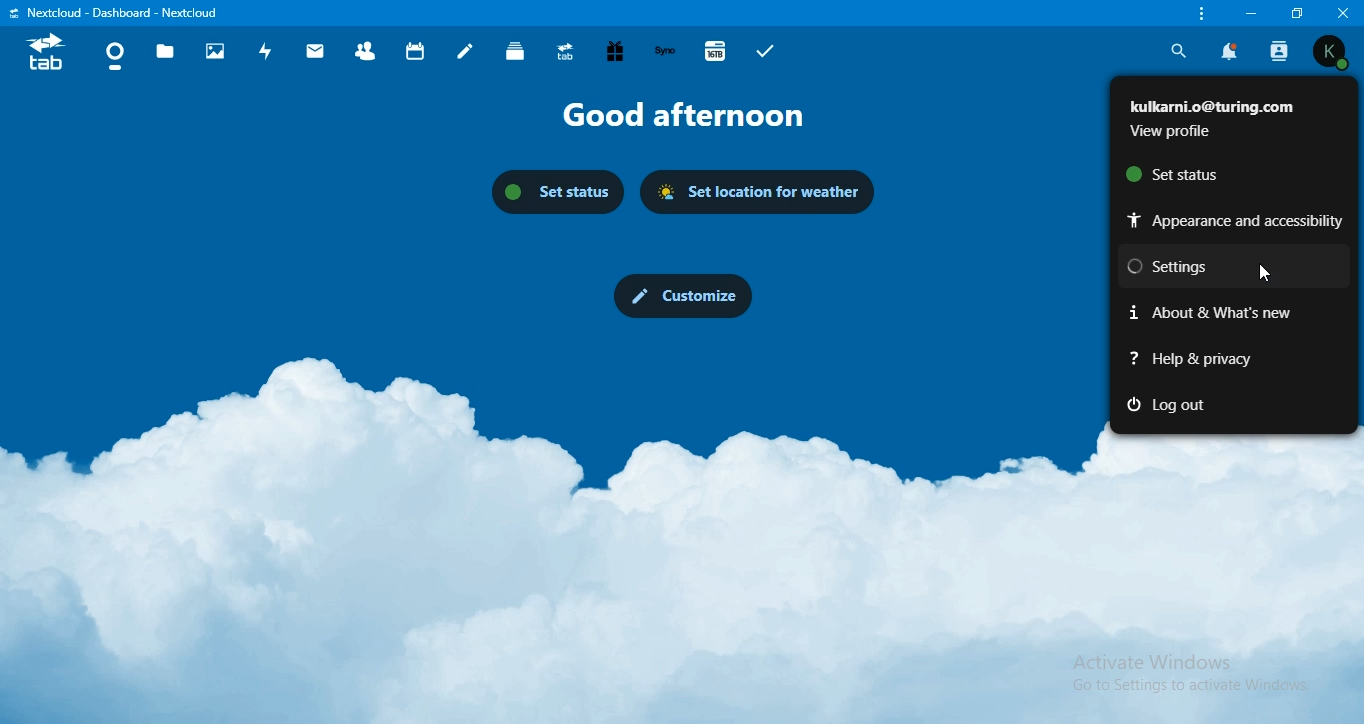  What do you see at coordinates (1176, 176) in the screenshot?
I see `set status` at bounding box center [1176, 176].